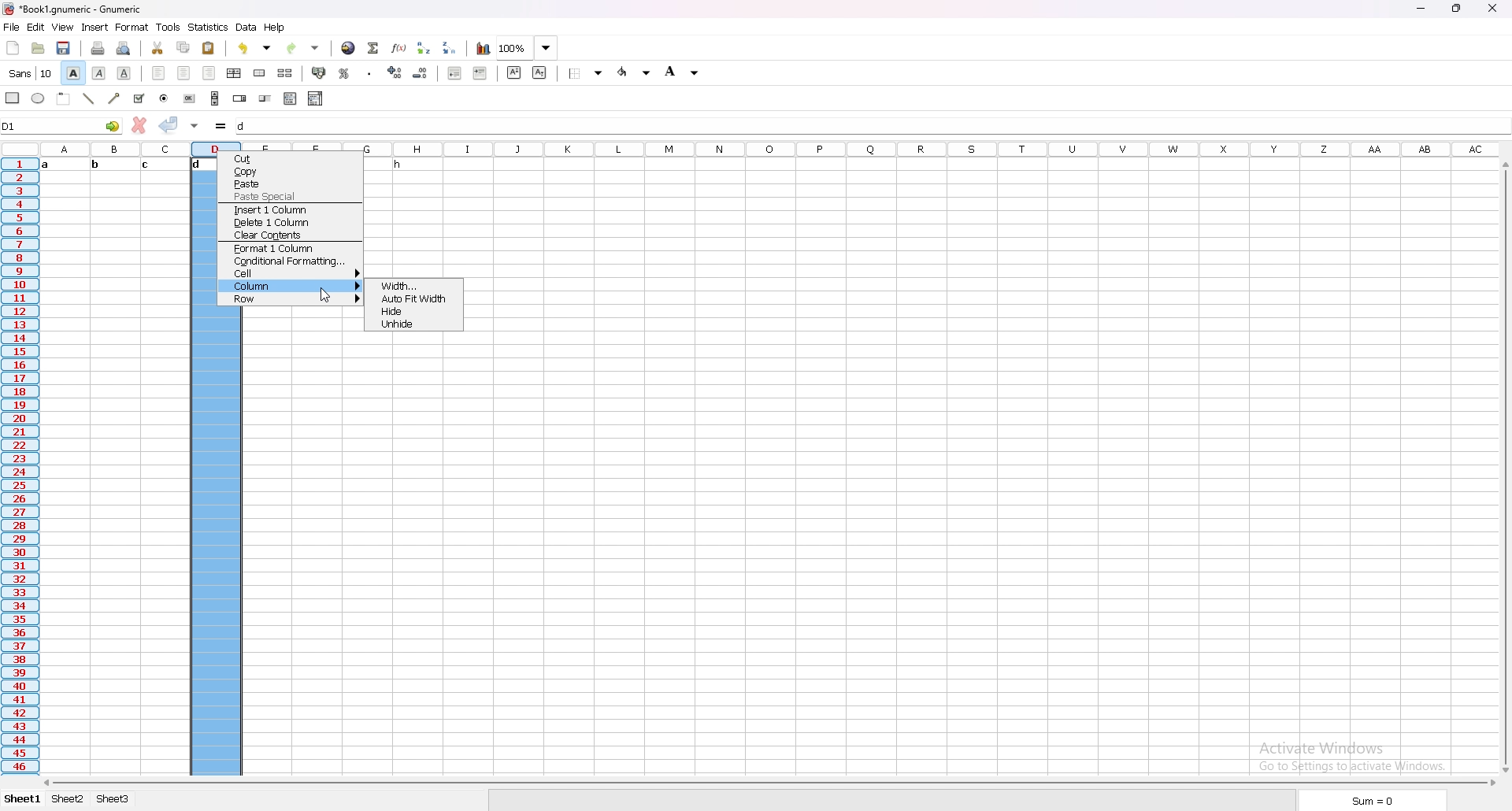 Image resolution: width=1512 pixels, height=811 pixels. I want to click on redo, so click(305, 48).